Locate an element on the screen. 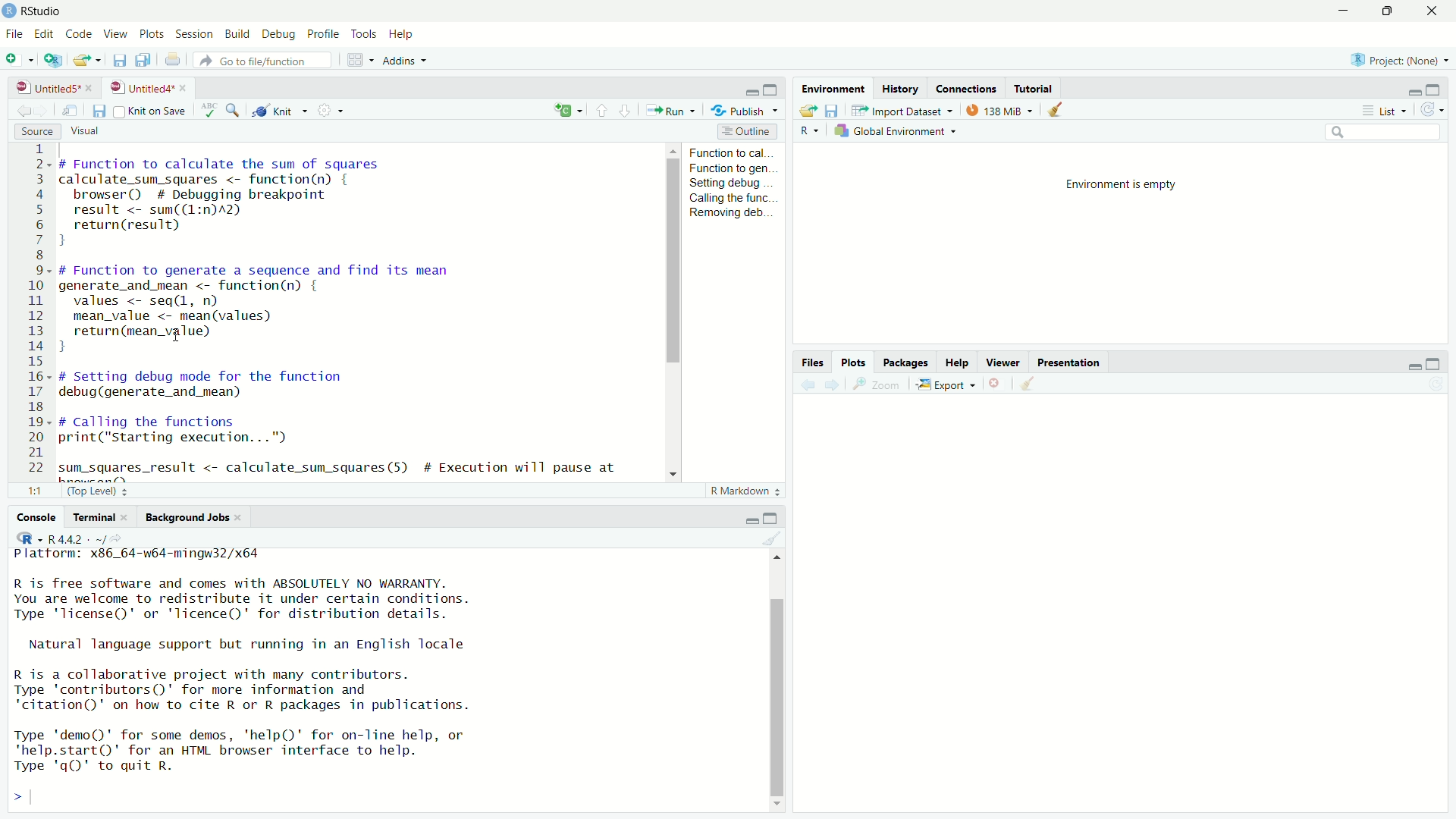 This screenshot has height=819, width=1456. typing cursor is located at coordinates (38, 798).